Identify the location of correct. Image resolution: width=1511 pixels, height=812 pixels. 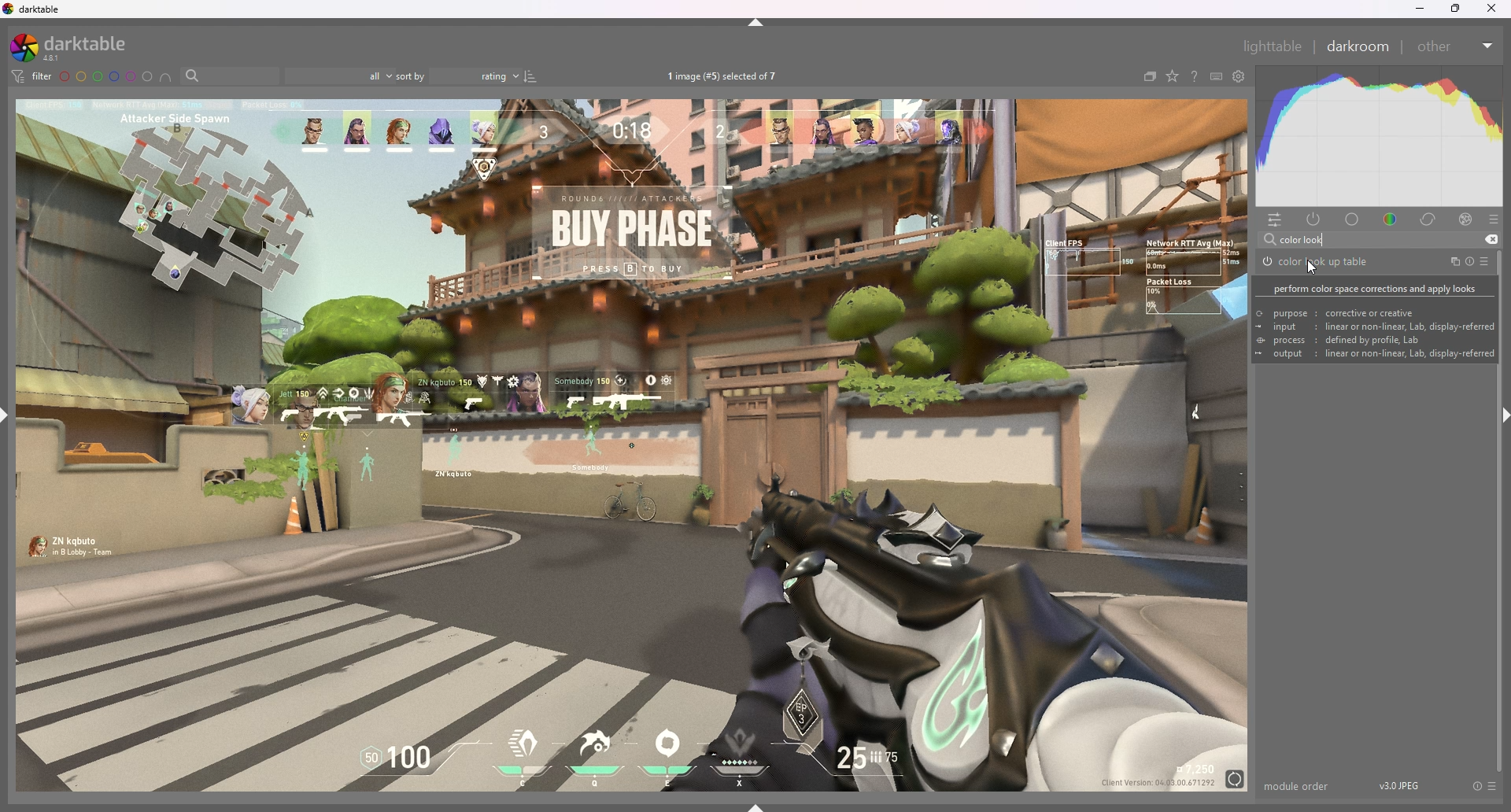
(1430, 219).